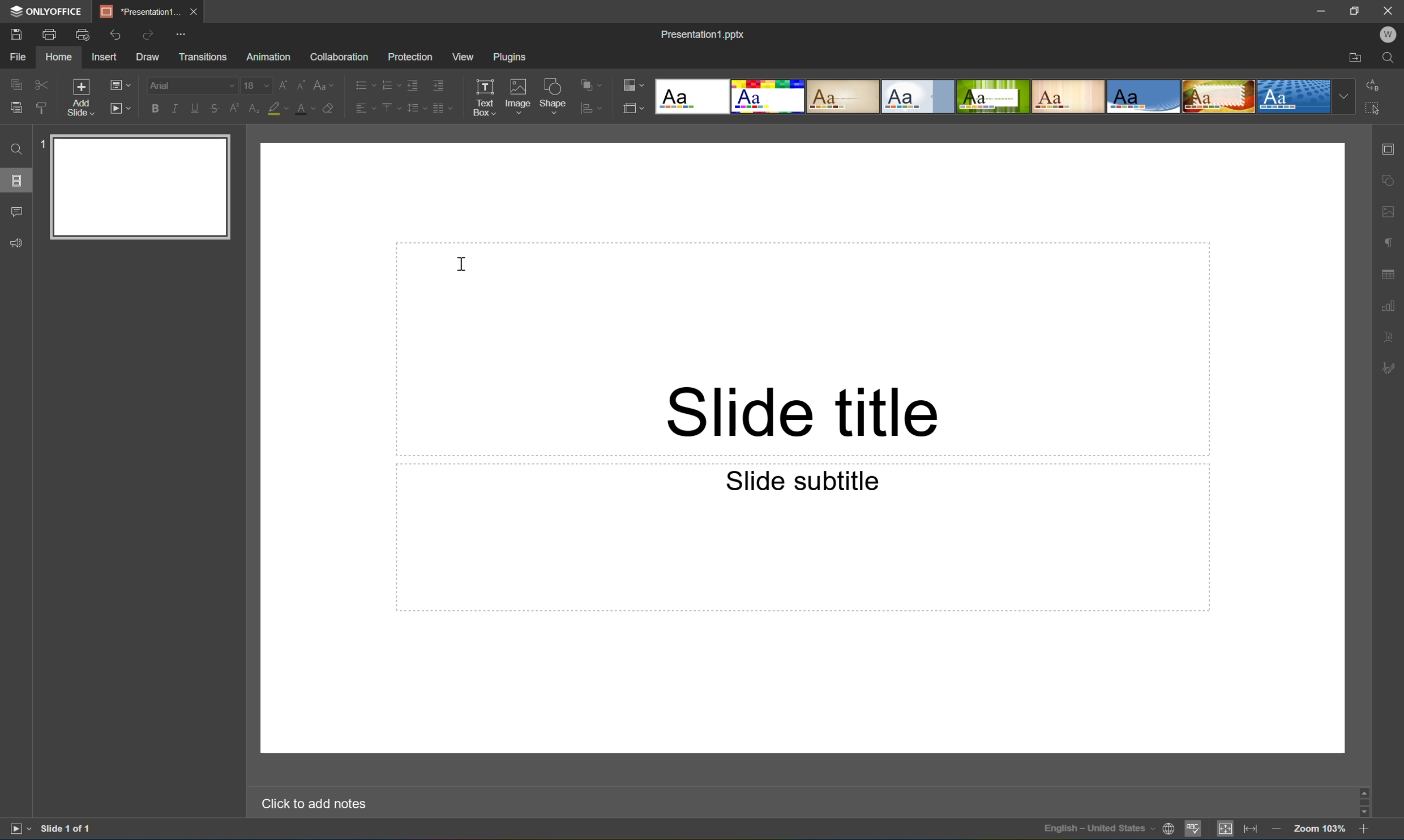 This screenshot has width=1404, height=840. What do you see at coordinates (519, 95) in the screenshot?
I see `Image` at bounding box center [519, 95].